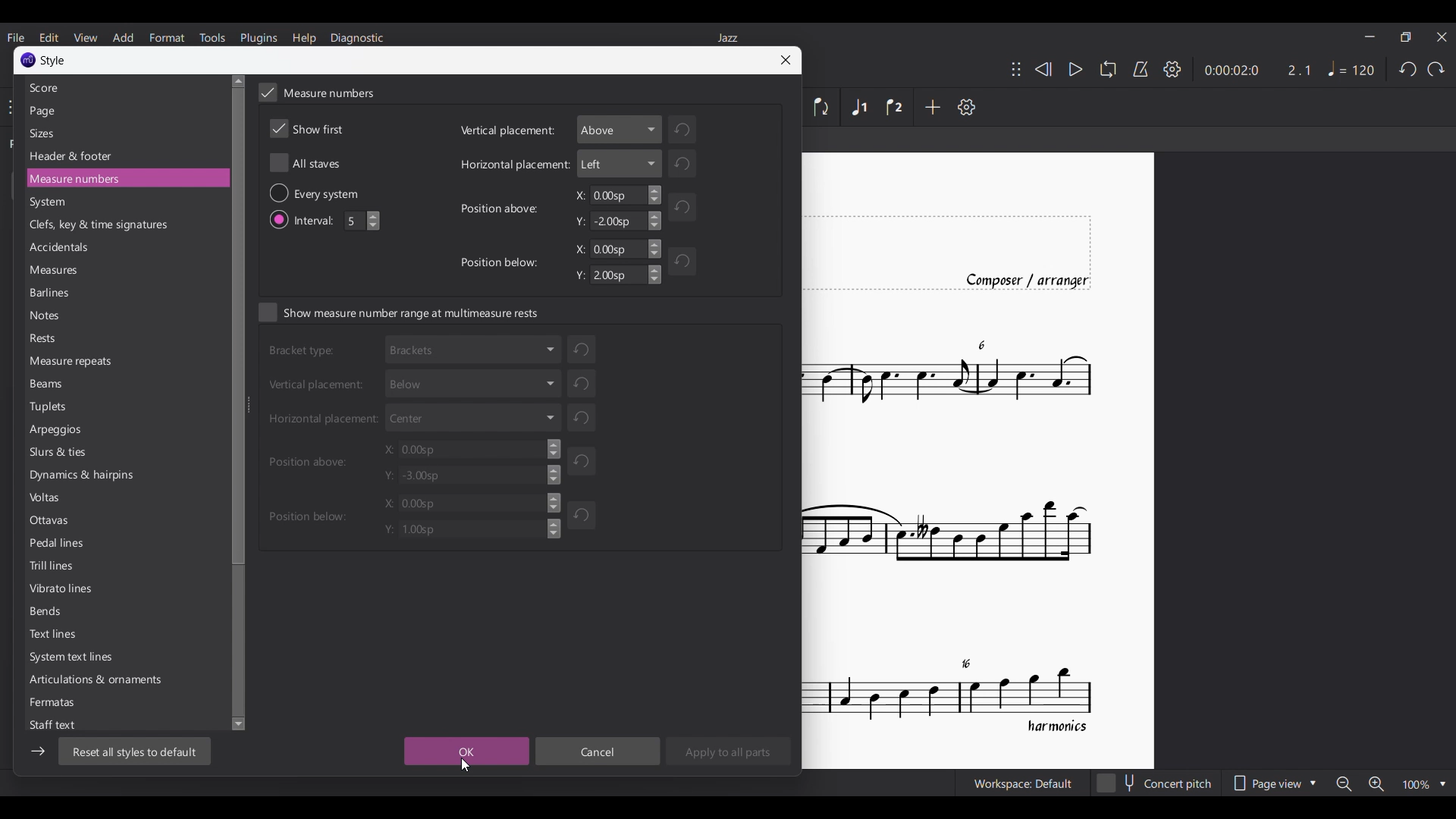  What do you see at coordinates (466, 752) in the screenshot?
I see `OK` at bounding box center [466, 752].